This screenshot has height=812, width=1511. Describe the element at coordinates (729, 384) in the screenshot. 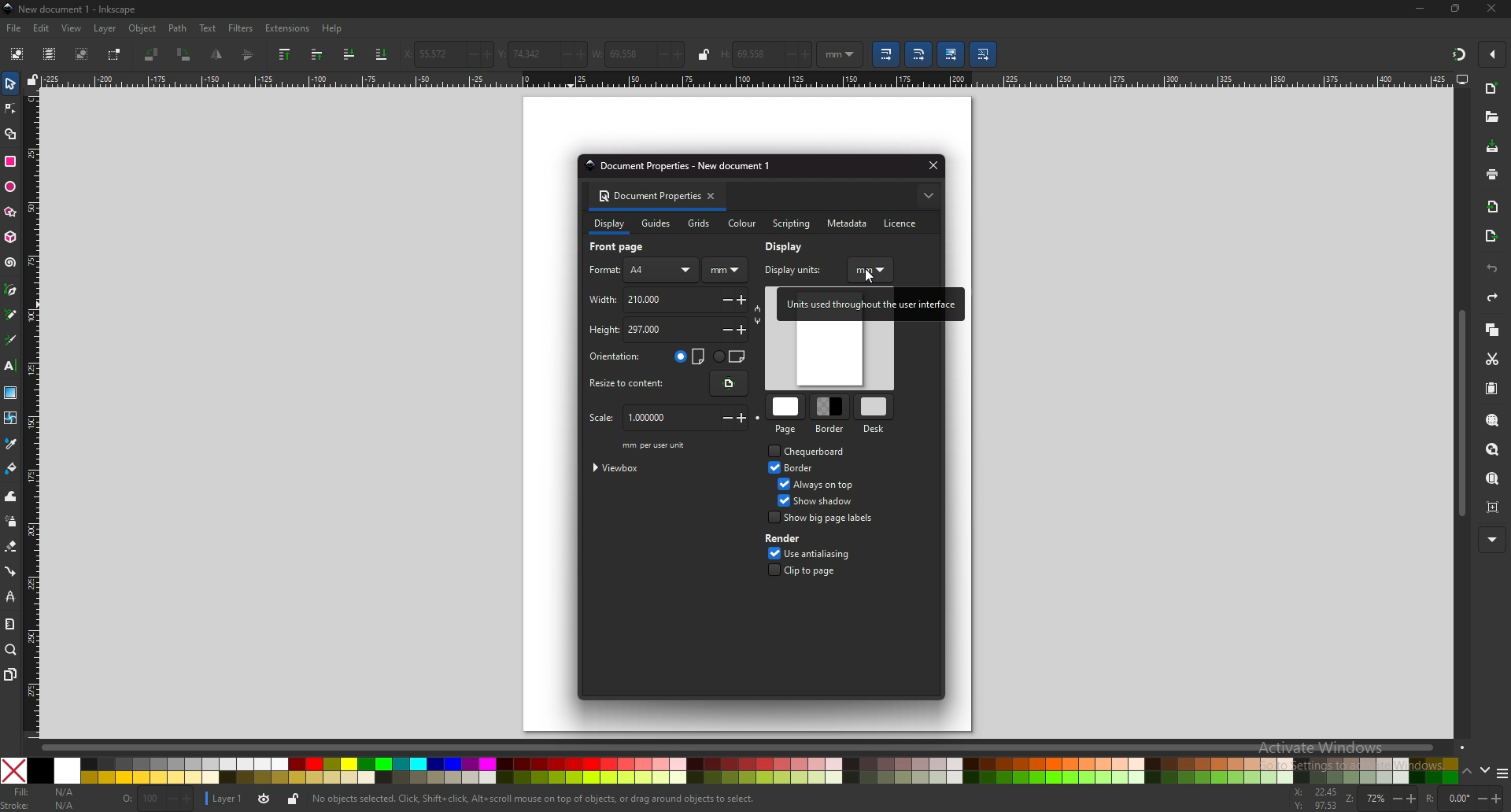

I see `resize content` at that location.